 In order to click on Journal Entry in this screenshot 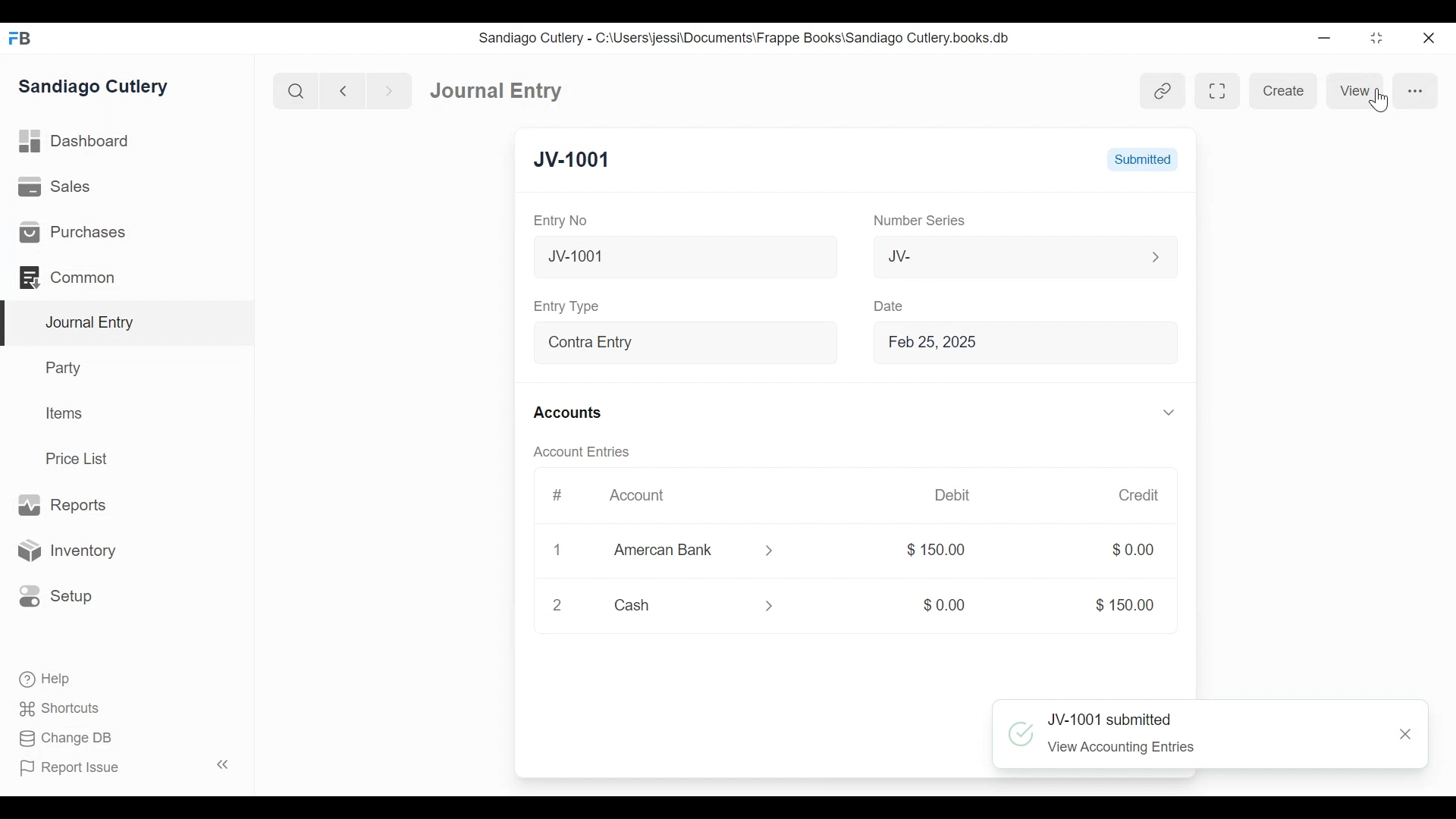, I will do `click(128, 324)`.